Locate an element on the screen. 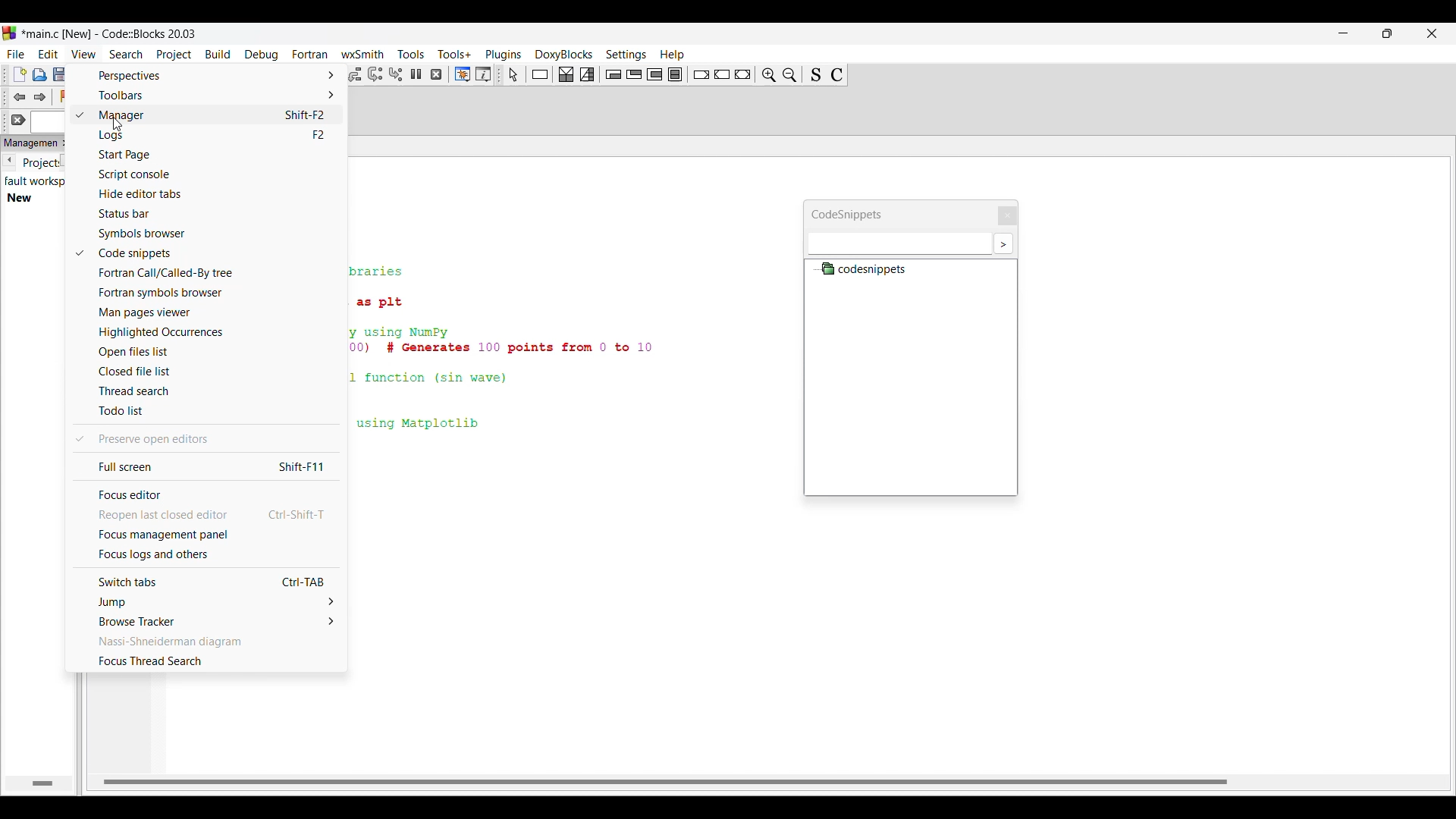 This screenshot has width=1456, height=819. Current tab is located at coordinates (39, 165).